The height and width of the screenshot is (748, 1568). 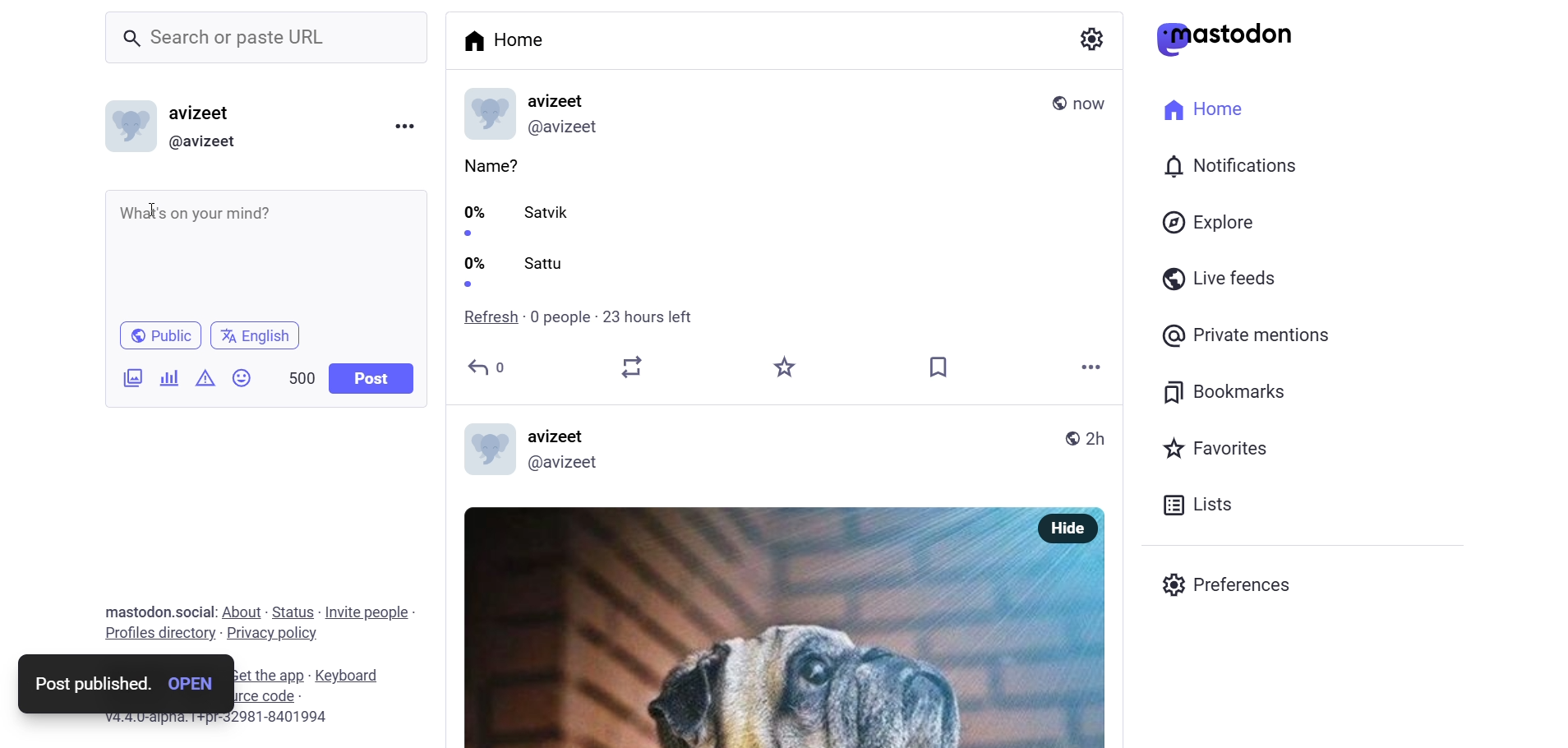 What do you see at coordinates (404, 124) in the screenshot?
I see `more` at bounding box center [404, 124].